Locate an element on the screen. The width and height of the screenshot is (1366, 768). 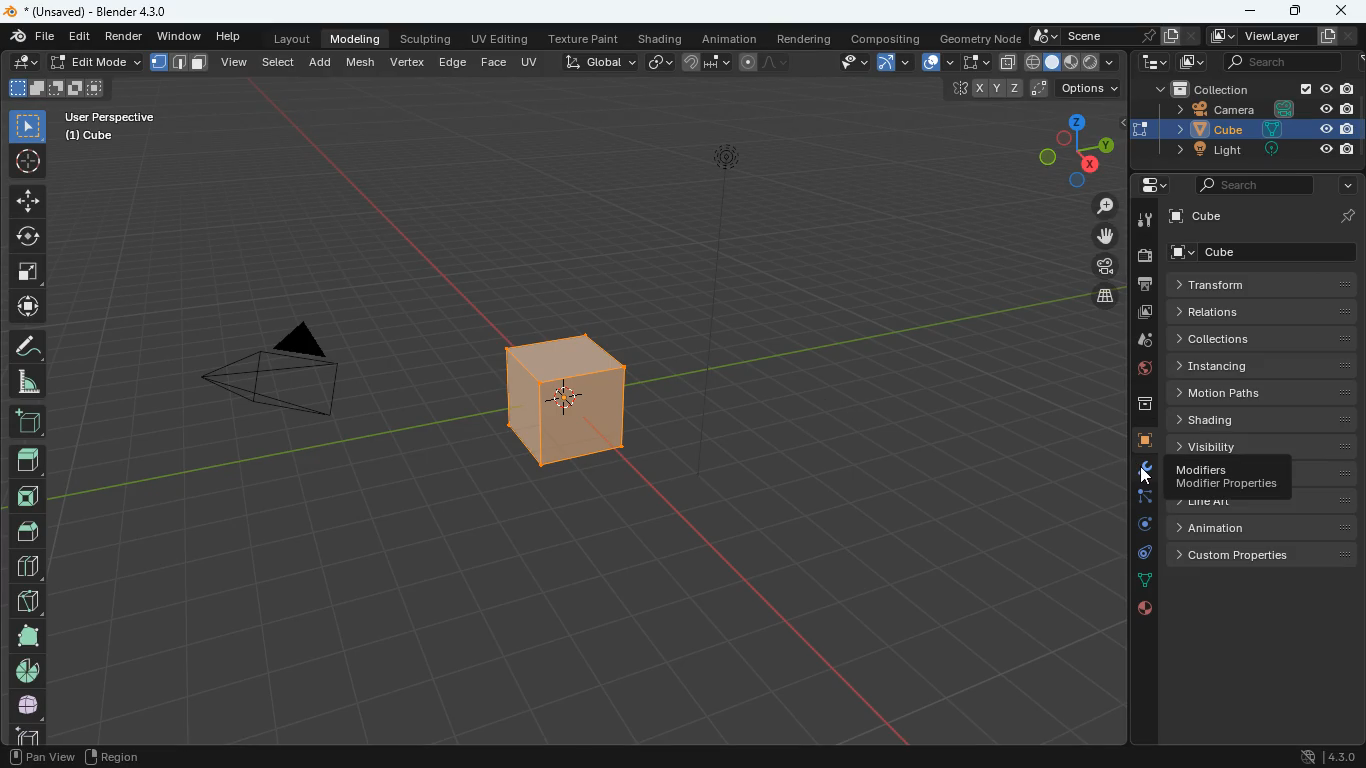
render is located at coordinates (125, 35).